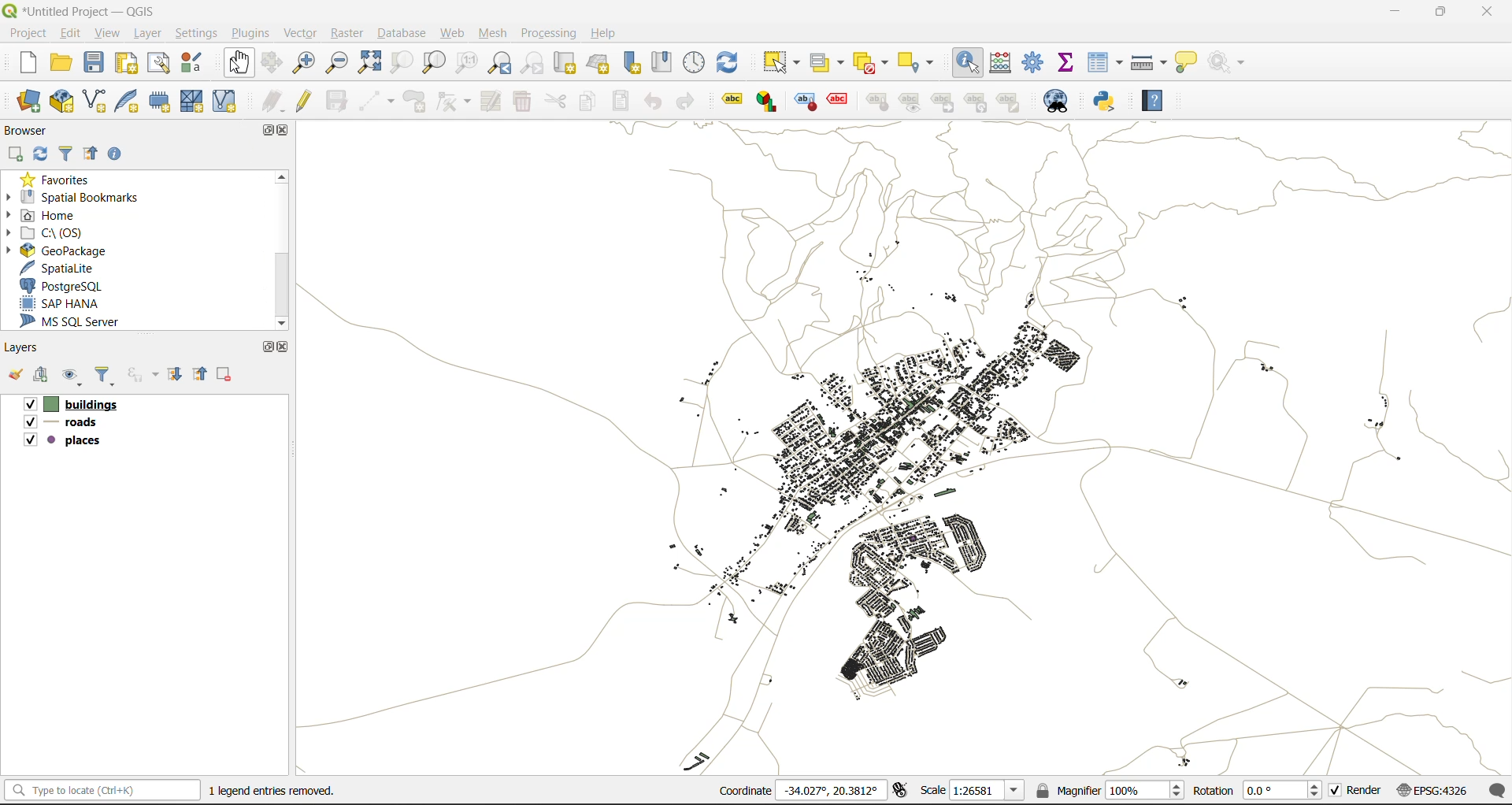 This screenshot has width=1512, height=805. I want to click on geopackage, so click(80, 250).